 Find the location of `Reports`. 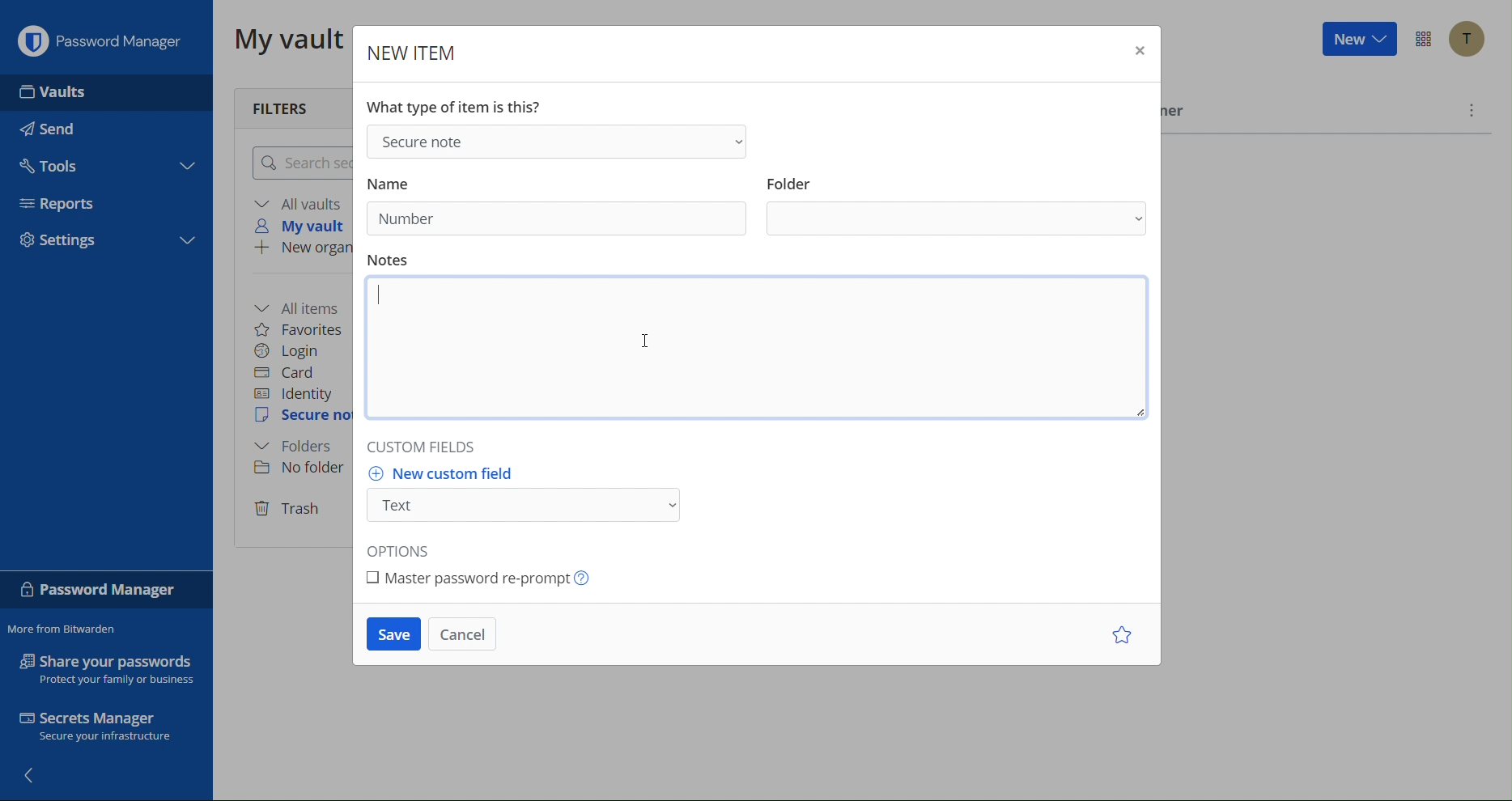

Reports is located at coordinates (63, 204).